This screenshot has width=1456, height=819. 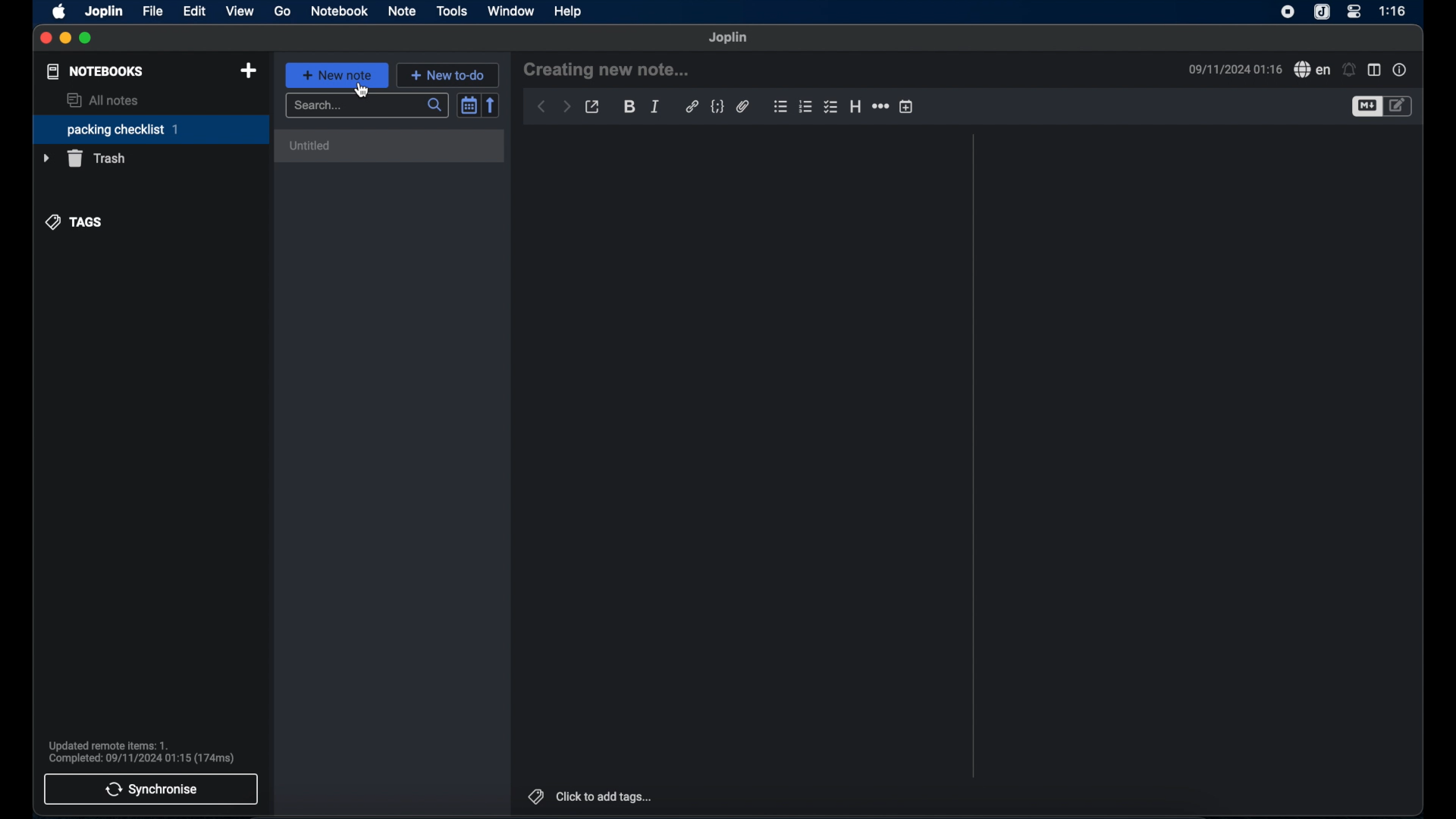 I want to click on tags, so click(x=74, y=223).